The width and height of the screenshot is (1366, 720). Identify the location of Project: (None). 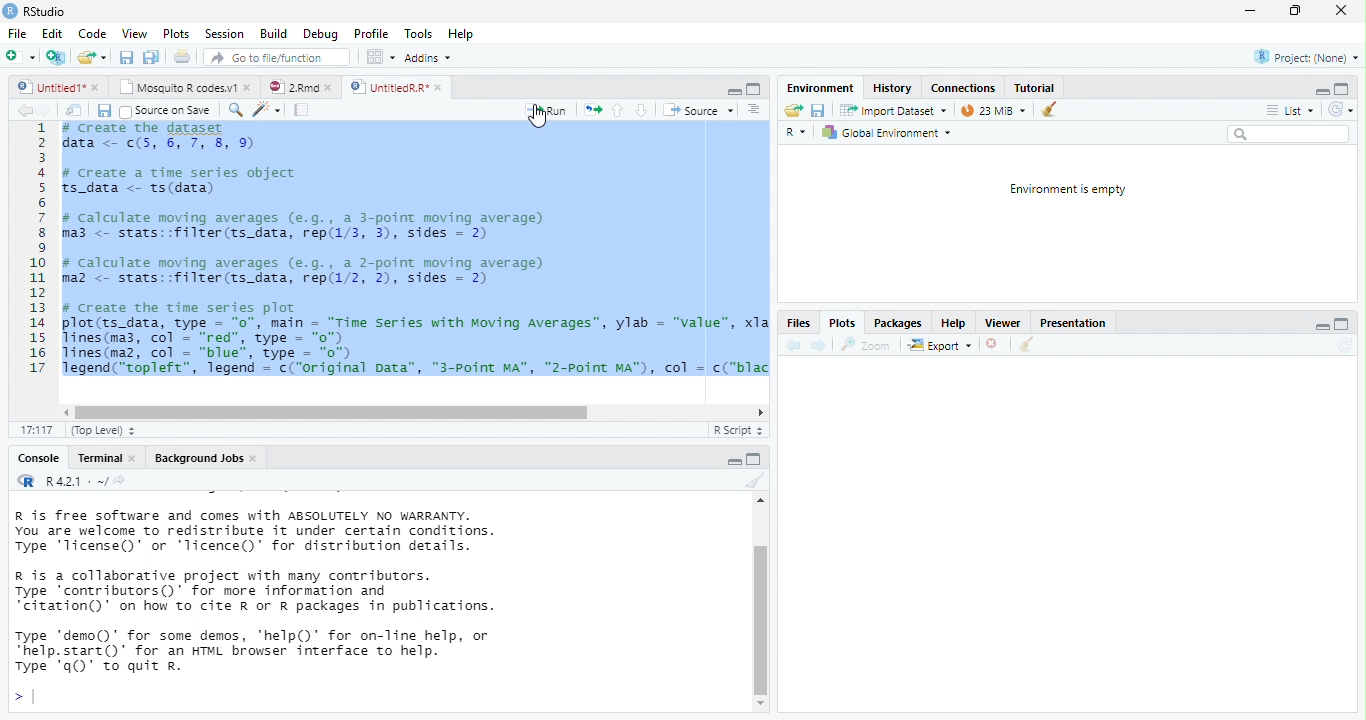
(1307, 58).